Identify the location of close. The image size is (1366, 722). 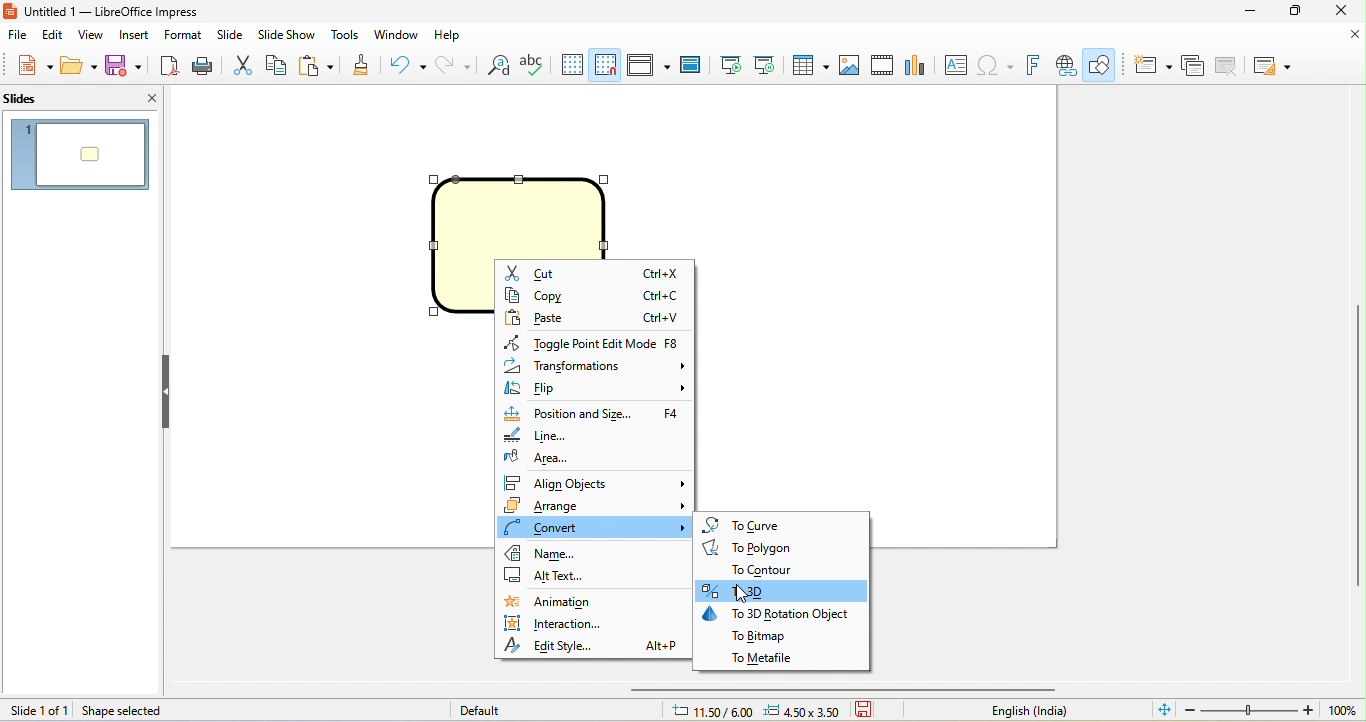
(1340, 11).